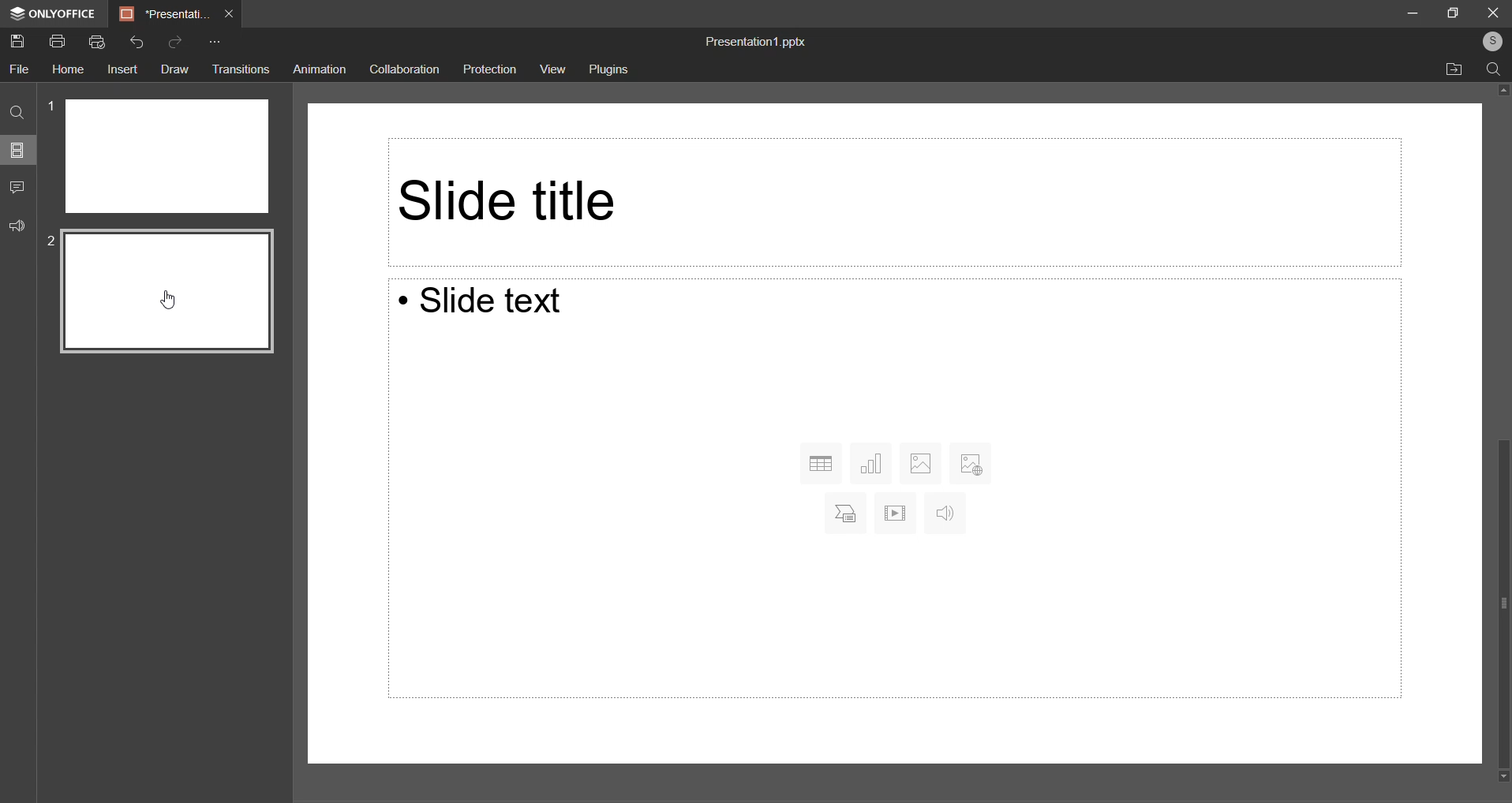 This screenshot has height=803, width=1512. What do you see at coordinates (873, 462) in the screenshot?
I see `Chart` at bounding box center [873, 462].